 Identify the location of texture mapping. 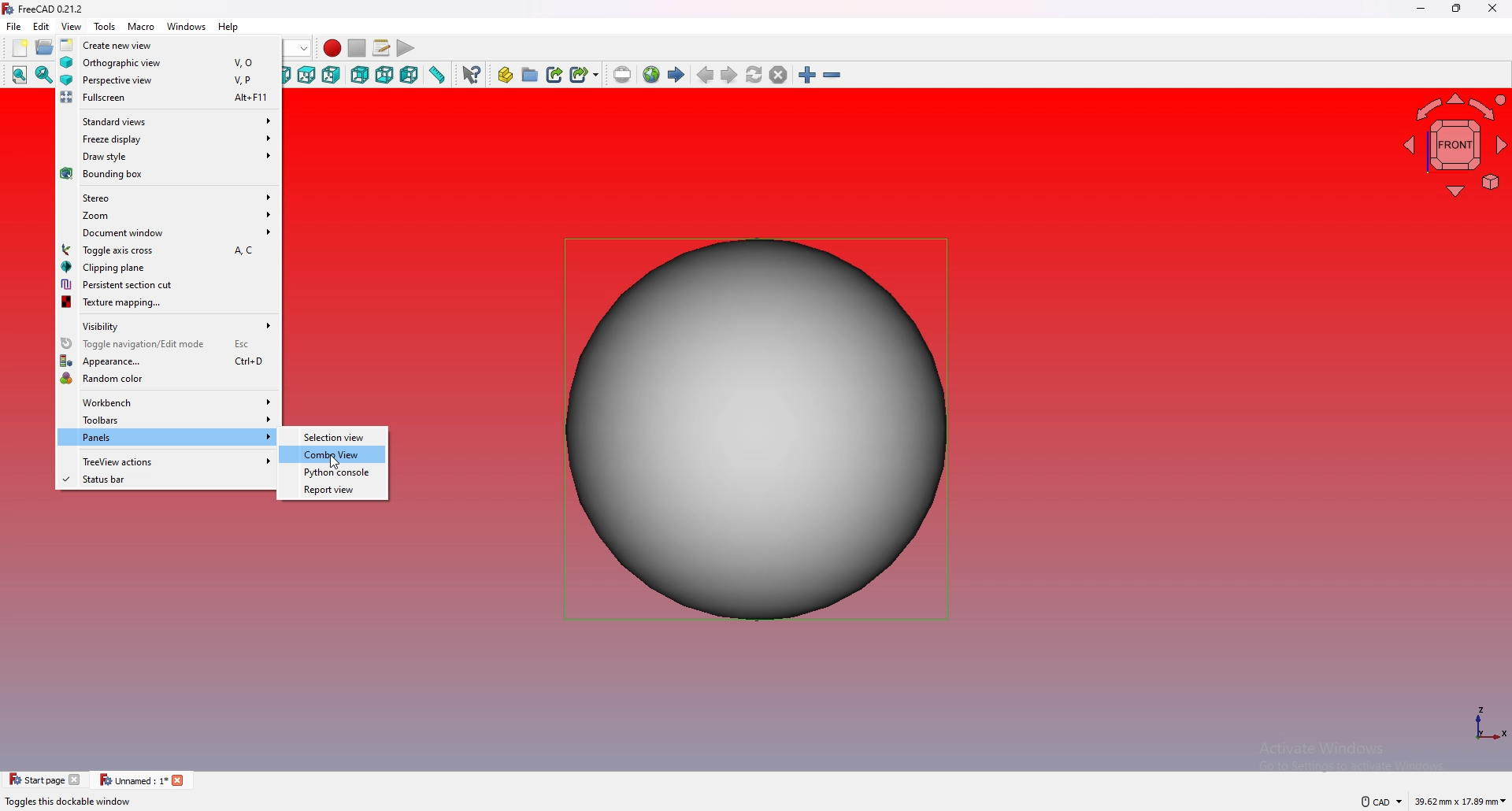
(169, 303).